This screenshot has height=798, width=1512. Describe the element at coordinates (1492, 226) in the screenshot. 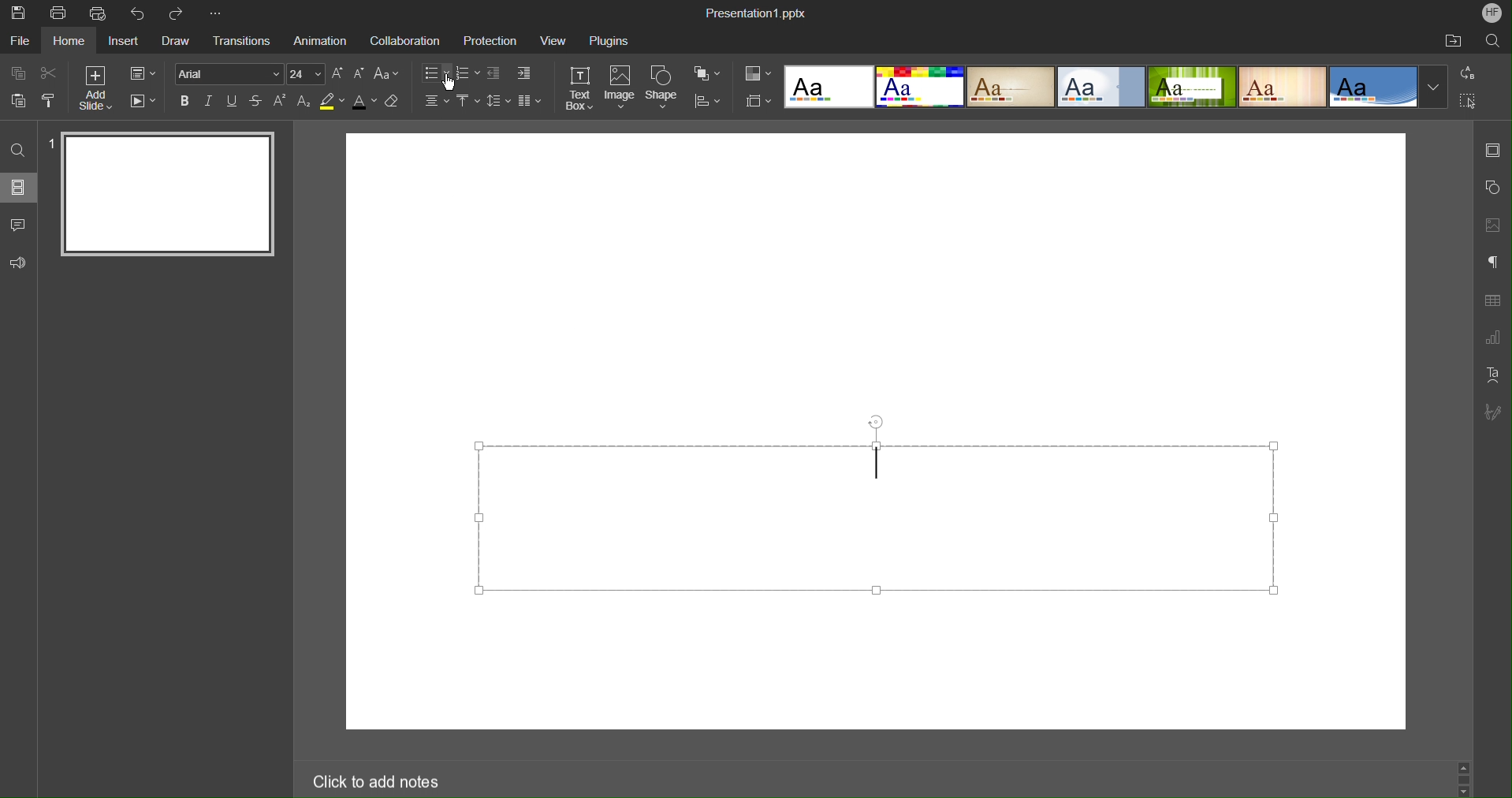

I see `Image Settings` at that location.